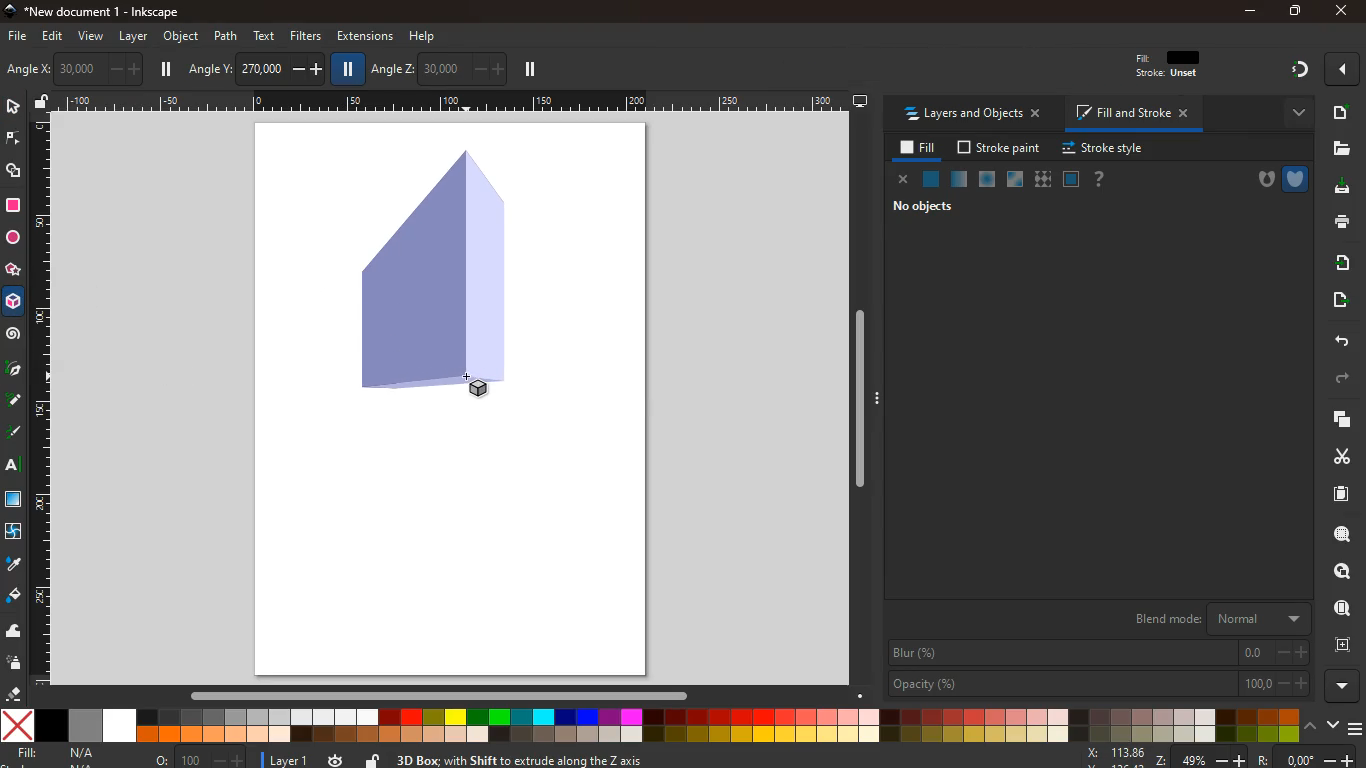 The image size is (1366, 768). Describe the element at coordinates (1293, 12) in the screenshot. I see `Restore` at that location.